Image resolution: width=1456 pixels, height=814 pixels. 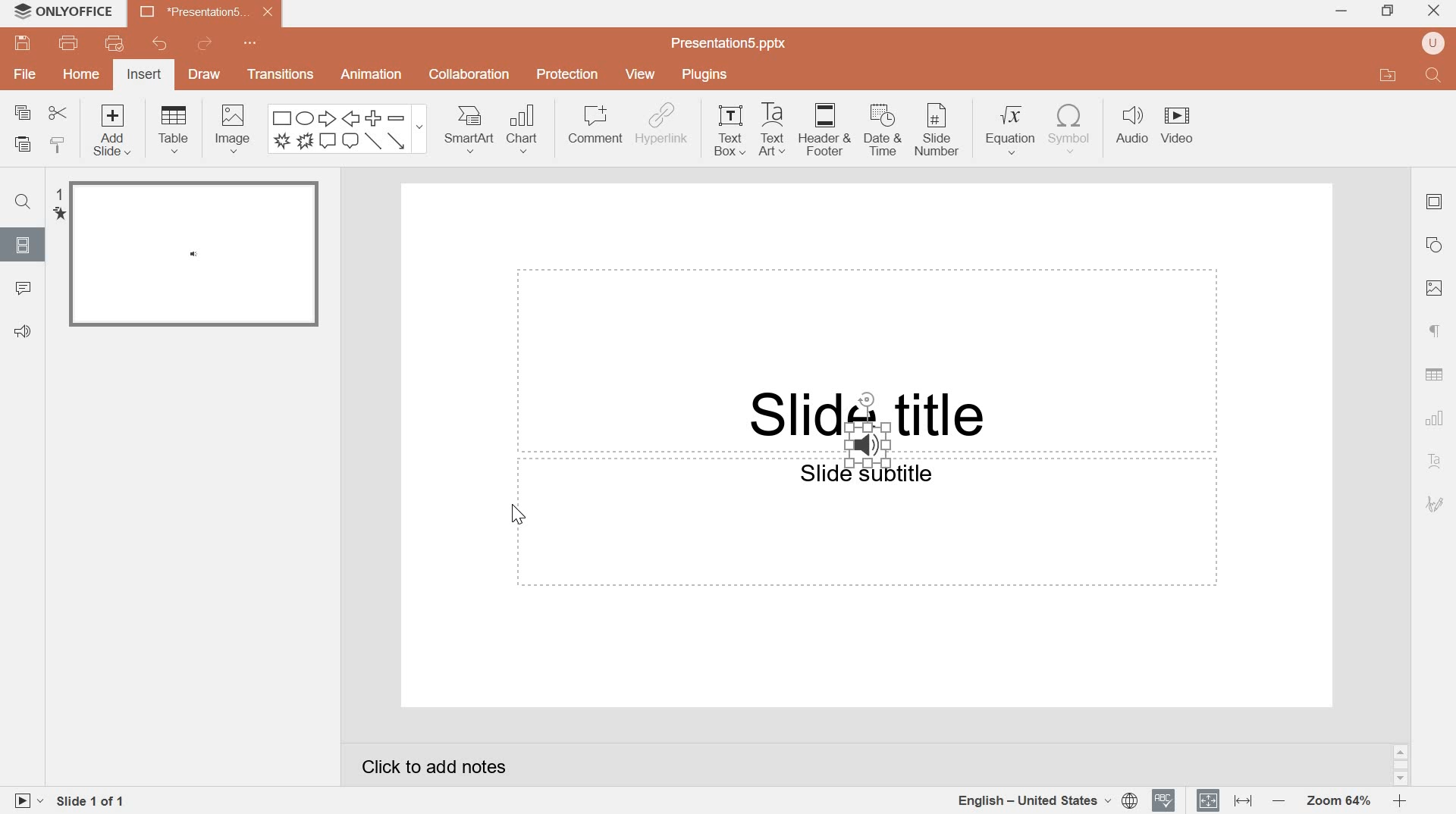 What do you see at coordinates (61, 144) in the screenshot?
I see `copy style` at bounding box center [61, 144].